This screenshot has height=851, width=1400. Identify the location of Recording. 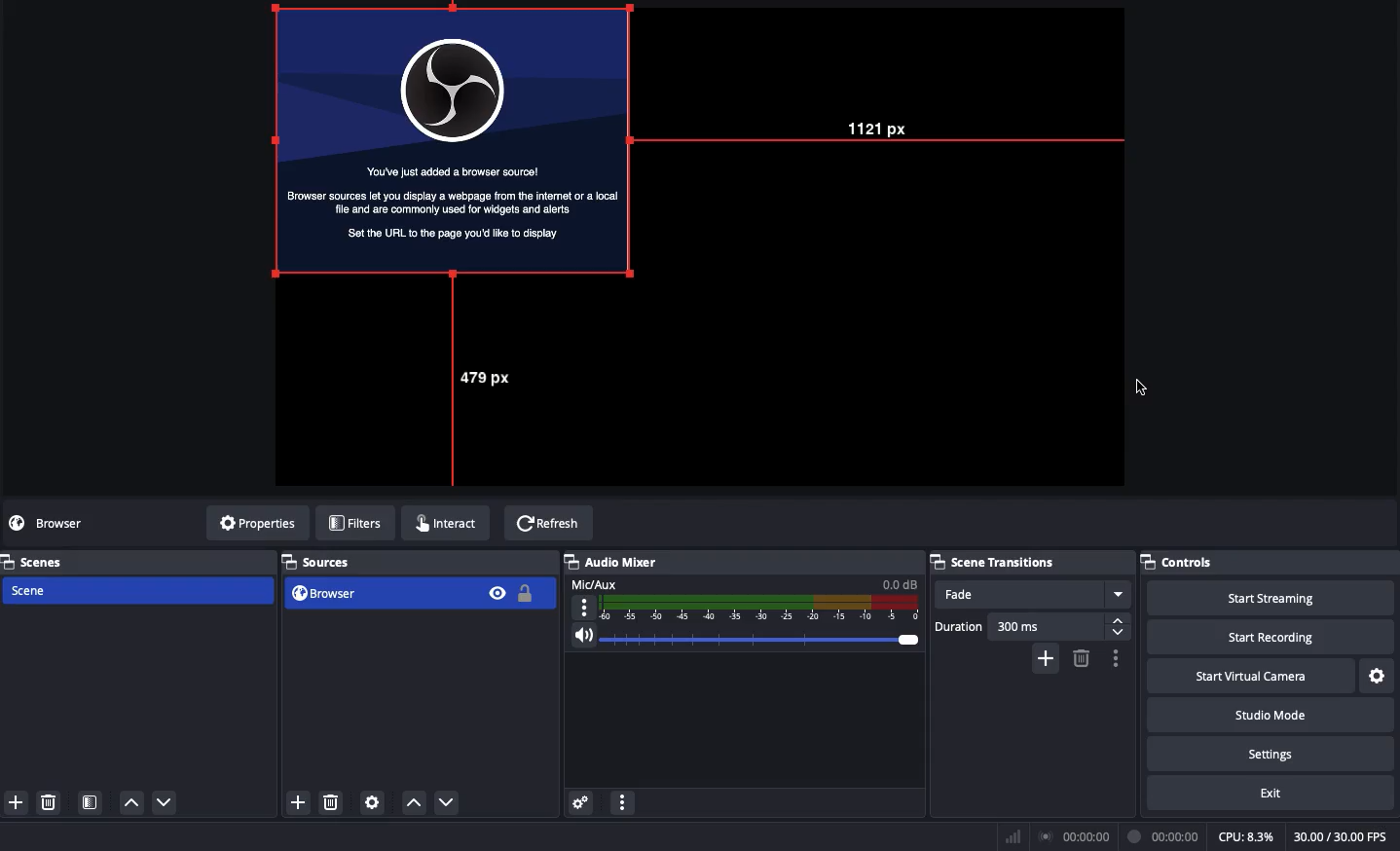
(1161, 836).